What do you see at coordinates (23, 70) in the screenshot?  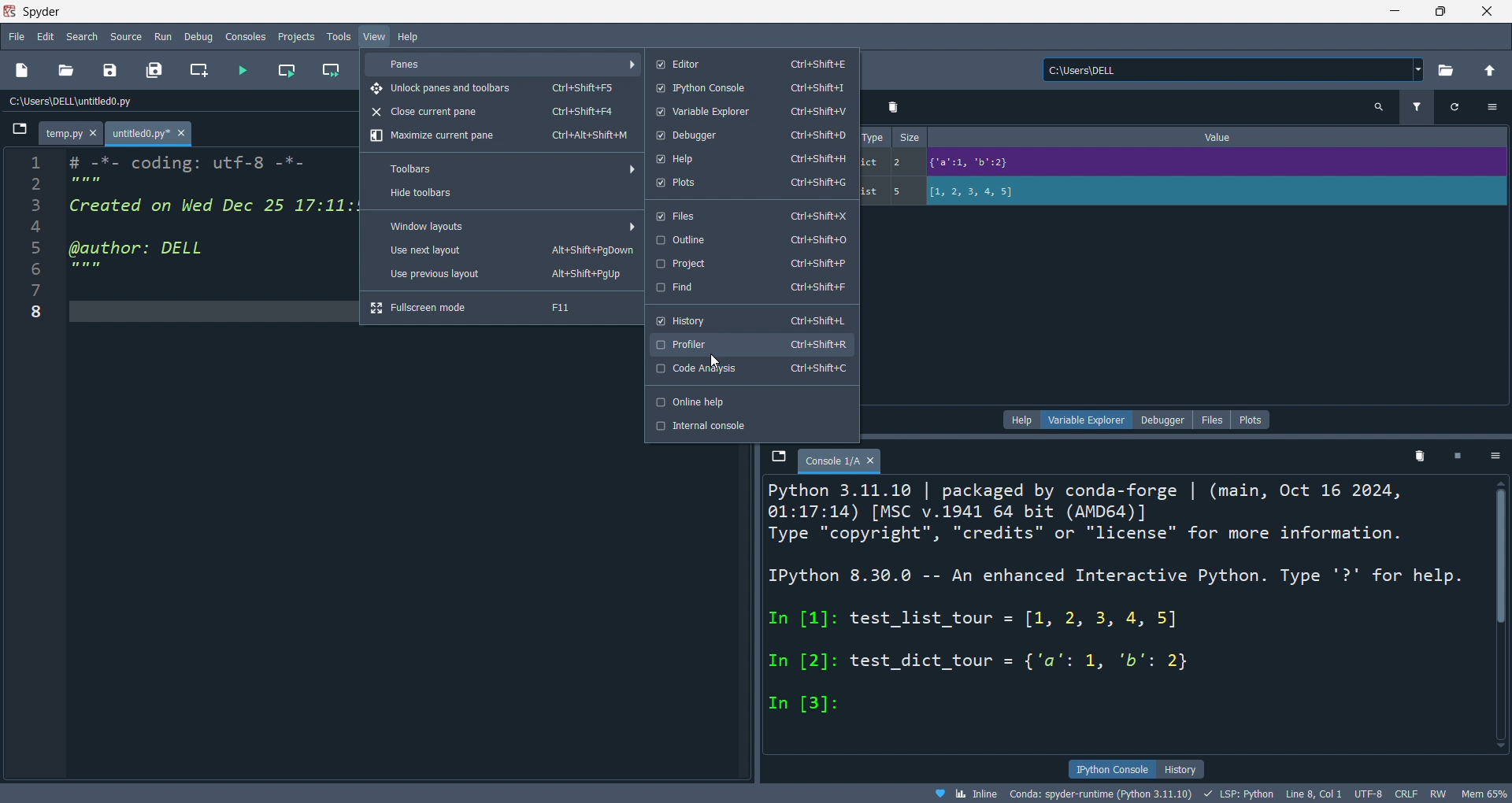 I see `new file` at bounding box center [23, 70].